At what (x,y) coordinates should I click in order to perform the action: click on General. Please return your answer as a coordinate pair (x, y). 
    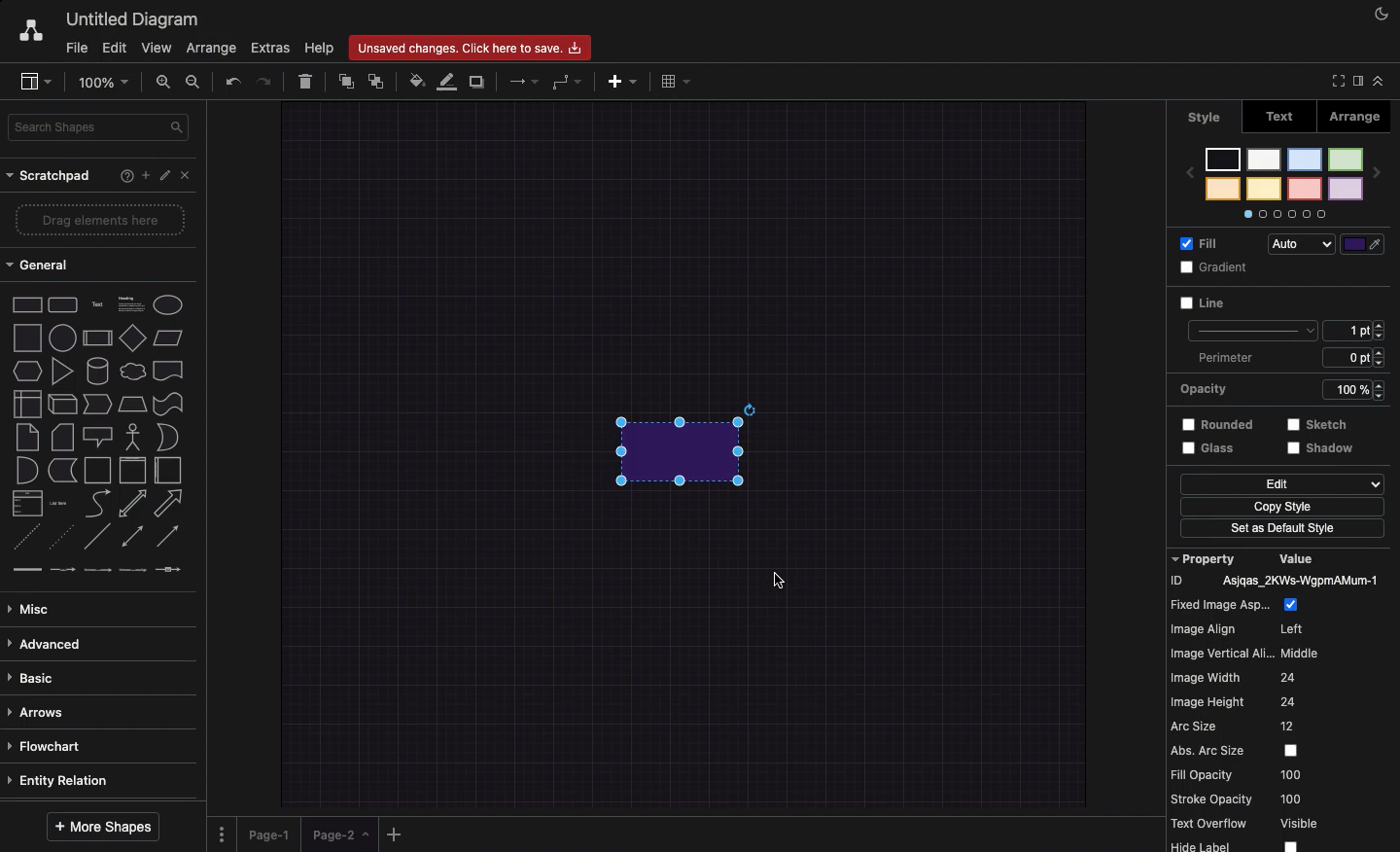
    Looking at the image, I should click on (40, 267).